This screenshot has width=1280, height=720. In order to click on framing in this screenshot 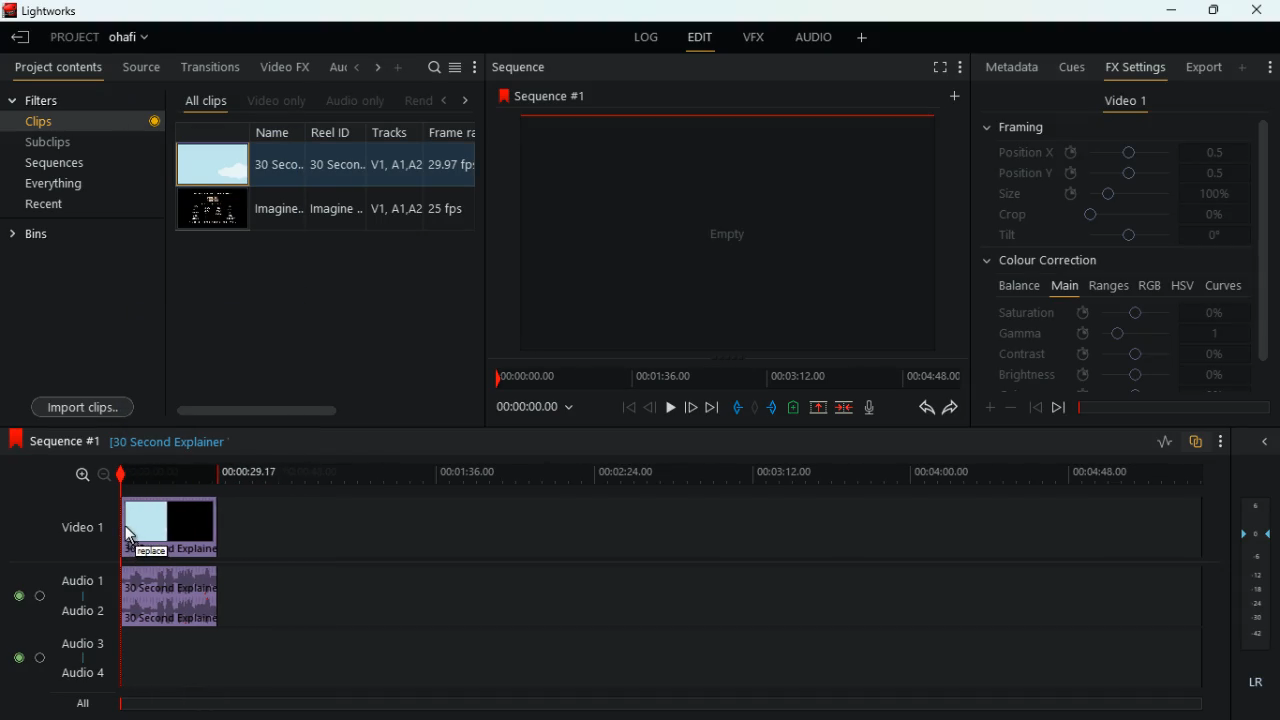, I will do `click(1020, 127)`.